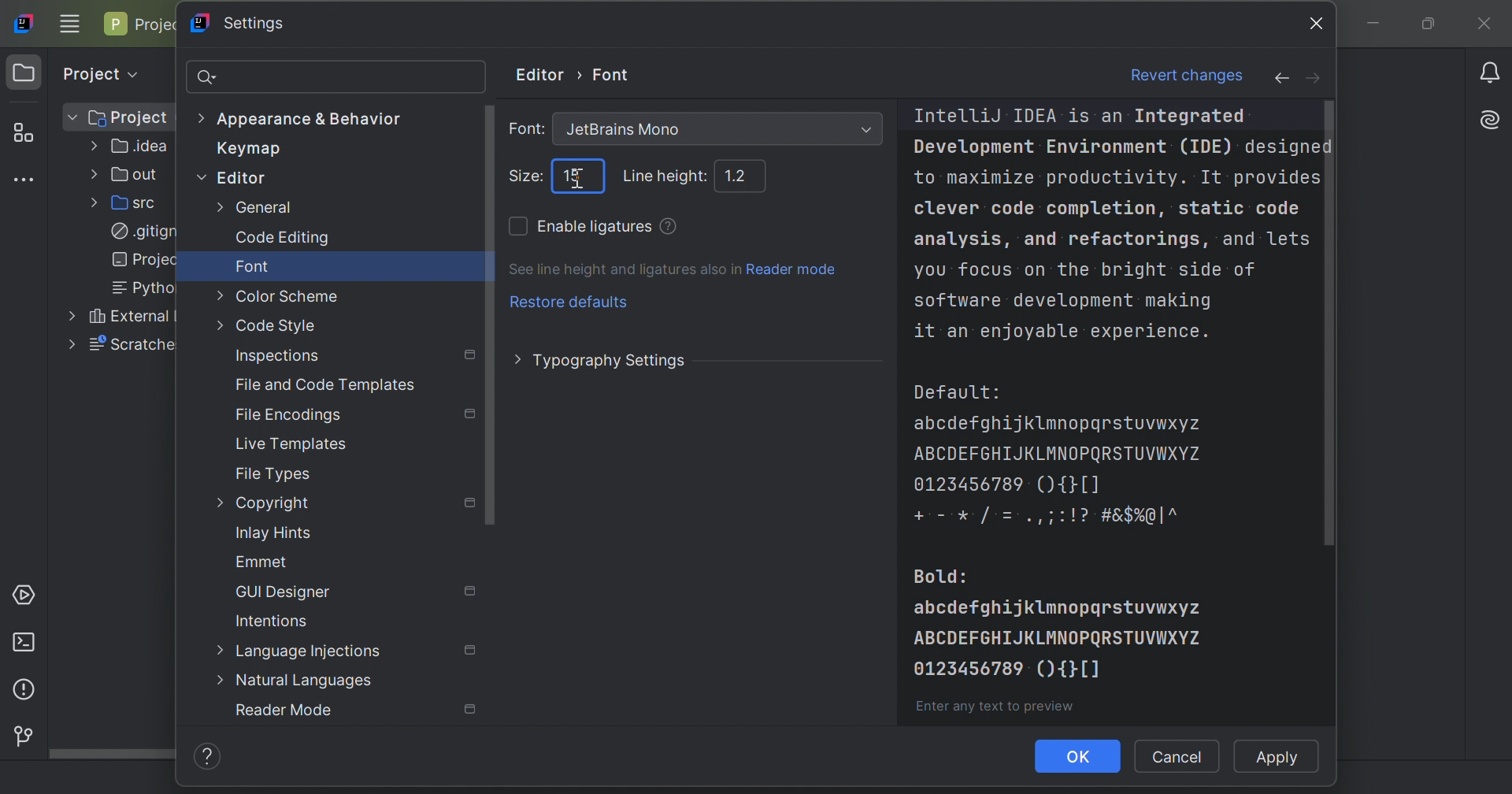 This screenshot has width=1512, height=794. Describe the element at coordinates (142, 24) in the screenshot. I see `Project` at that location.